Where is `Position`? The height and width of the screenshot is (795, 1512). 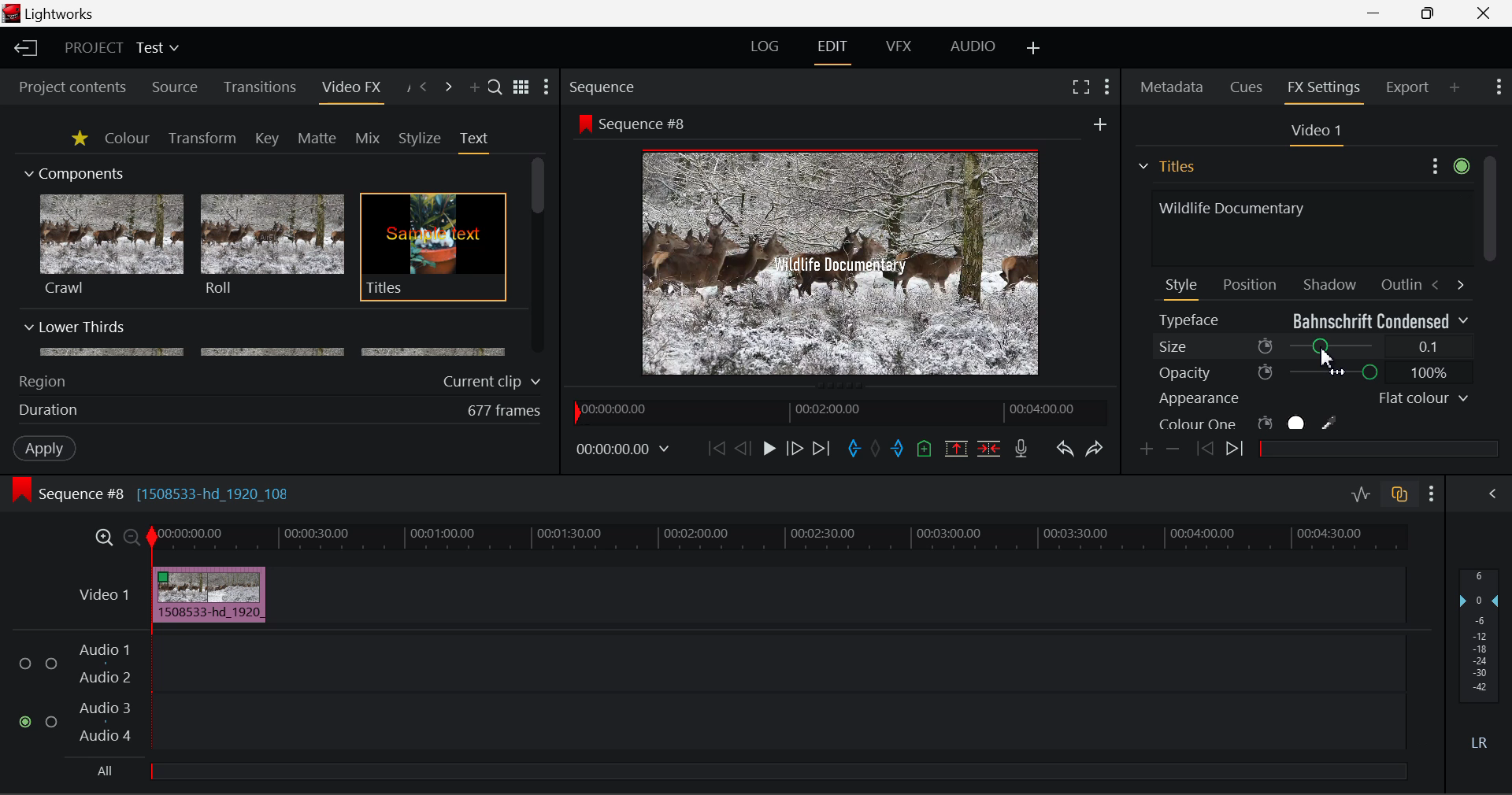
Position is located at coordinates (1252, 283).